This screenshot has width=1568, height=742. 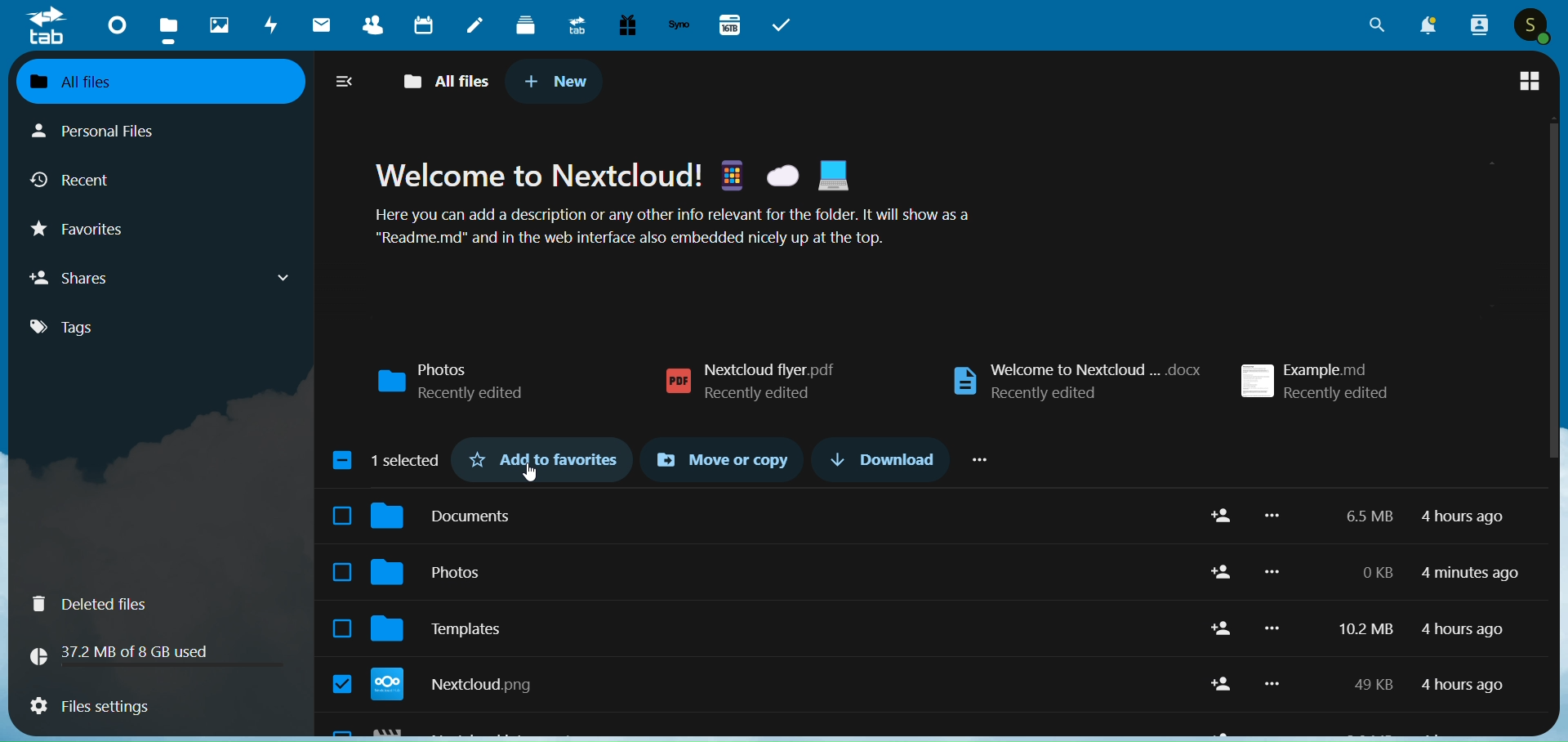 What do you see at coordinates (342, 515) in the screenshot?
I see `Click to select` at bounding box center [342, 515].